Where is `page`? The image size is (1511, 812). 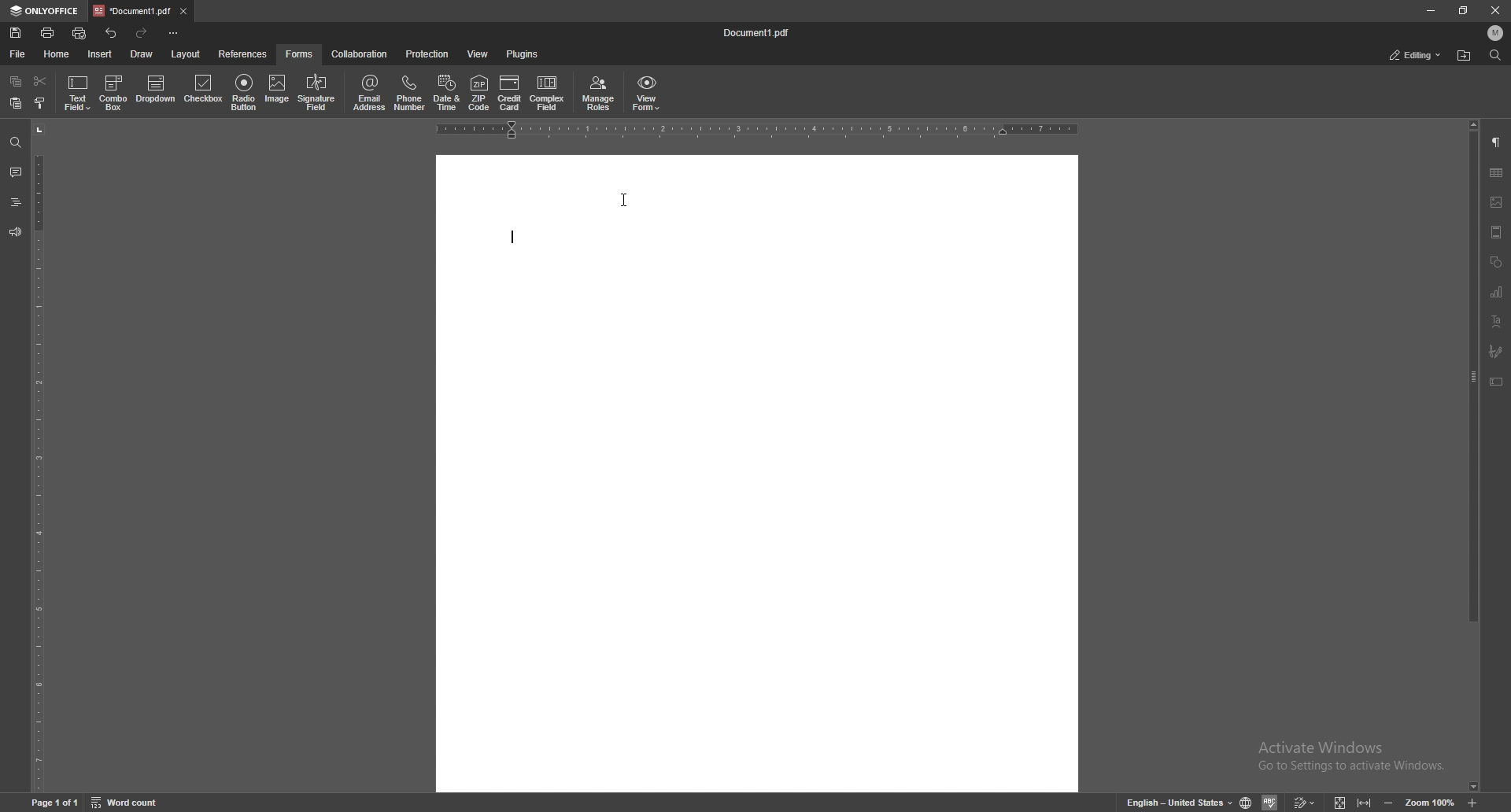
page is located at coordinates (55, 802).